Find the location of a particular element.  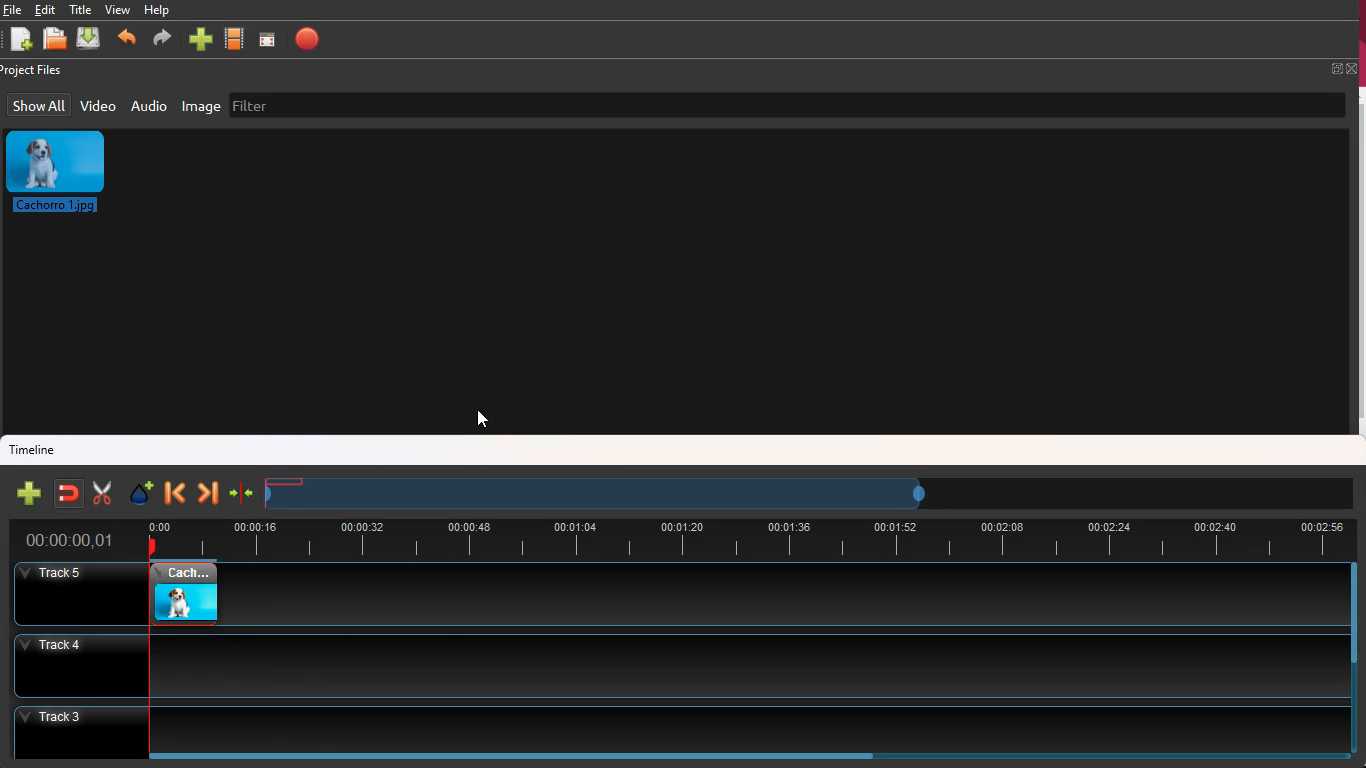

join is located at coordinates (70, 493).